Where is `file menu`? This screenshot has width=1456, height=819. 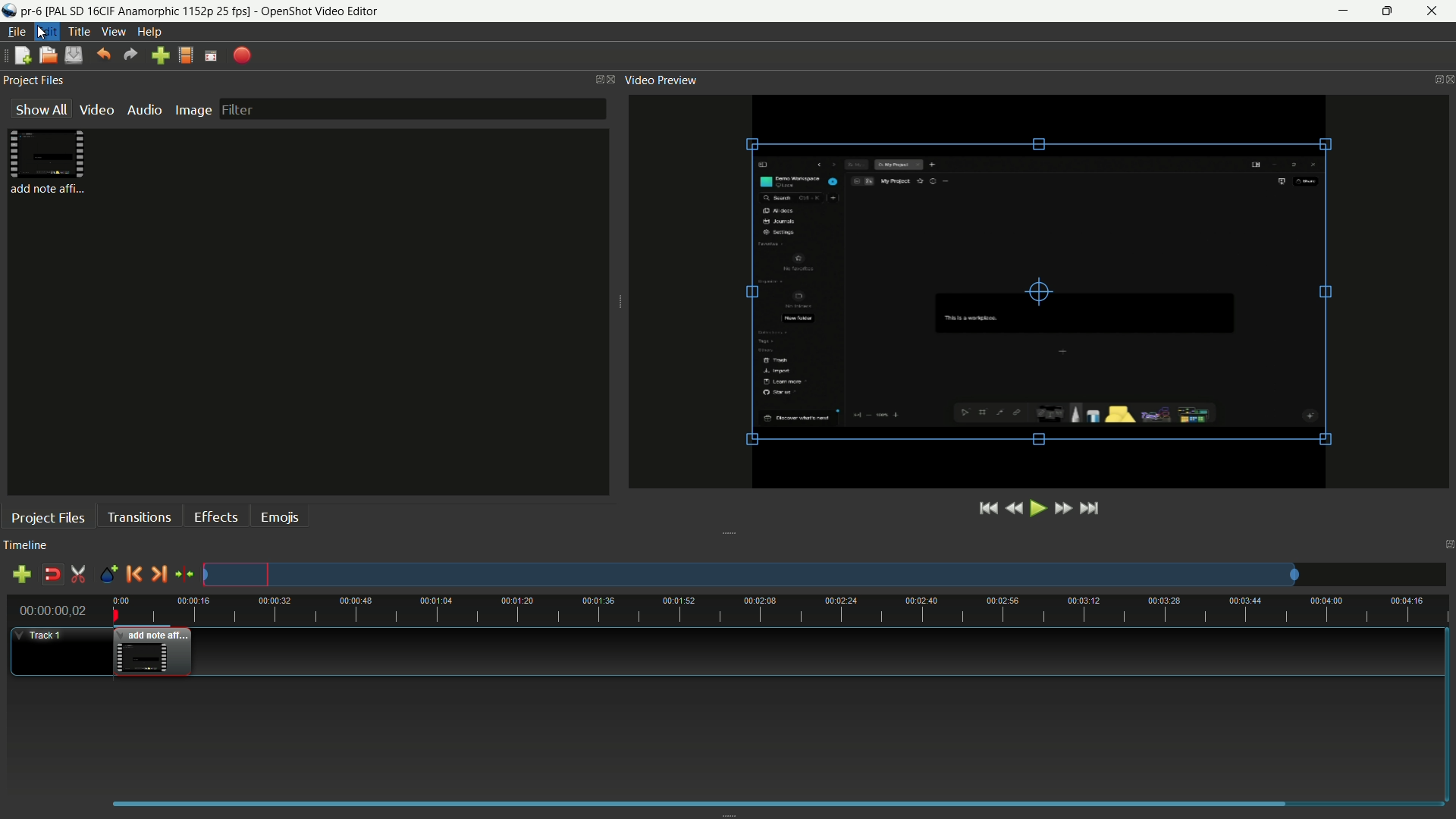 file menu is located at coordinates (13, 33).